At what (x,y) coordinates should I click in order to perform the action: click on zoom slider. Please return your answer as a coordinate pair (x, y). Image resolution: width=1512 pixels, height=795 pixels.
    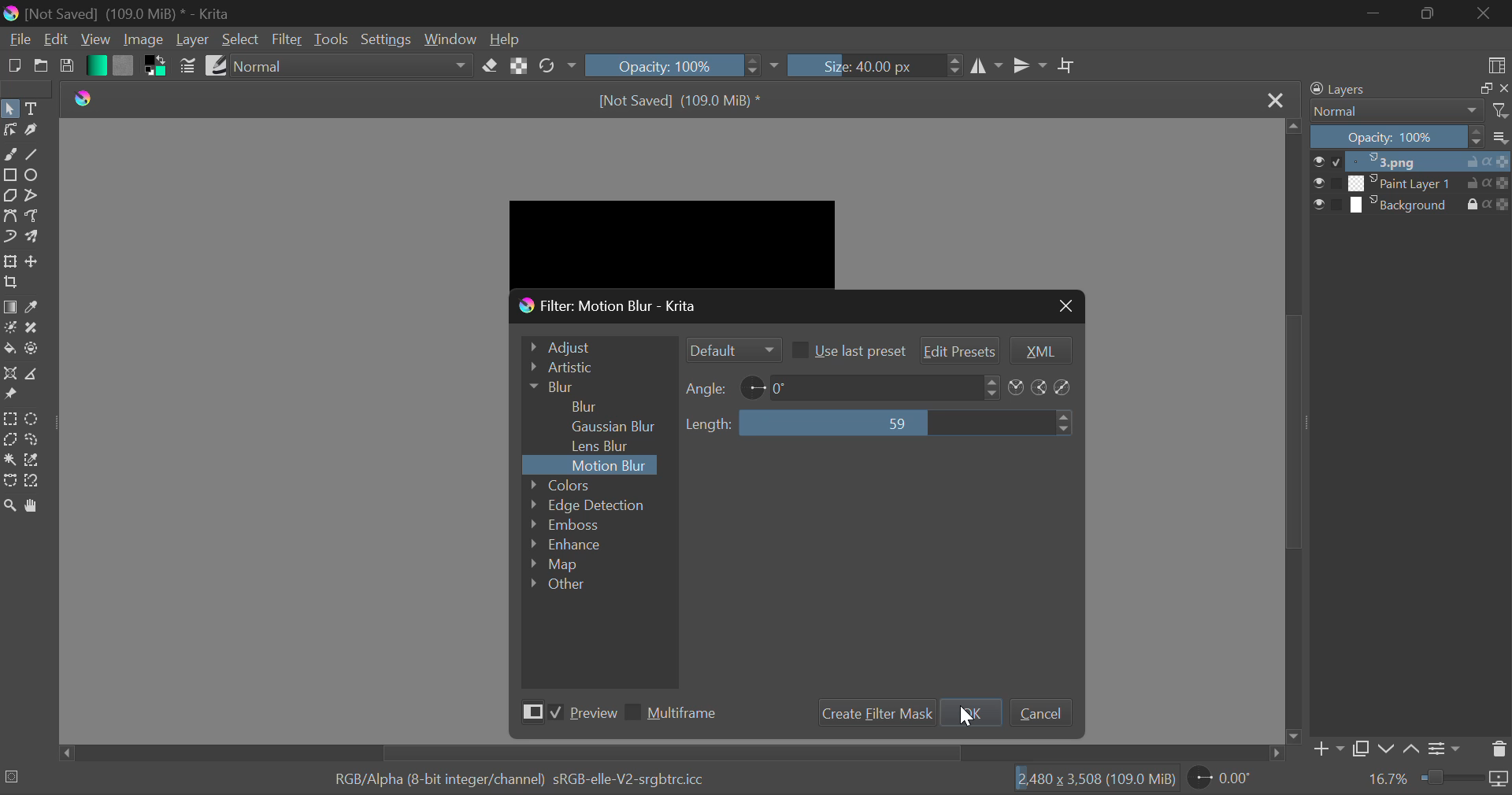
    Looking at the image, I should click on (1465, 779).